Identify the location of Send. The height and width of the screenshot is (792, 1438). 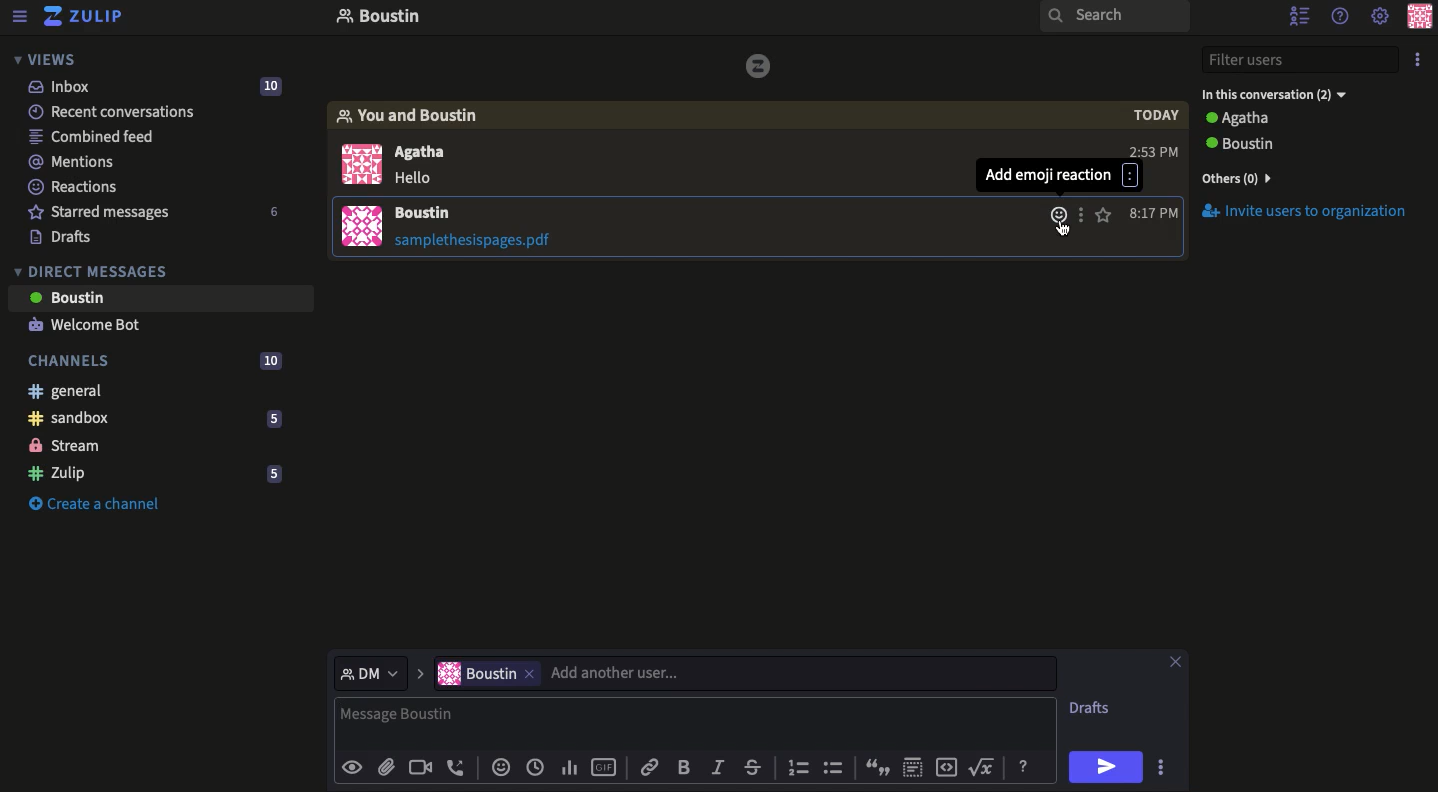
(1104, 766).